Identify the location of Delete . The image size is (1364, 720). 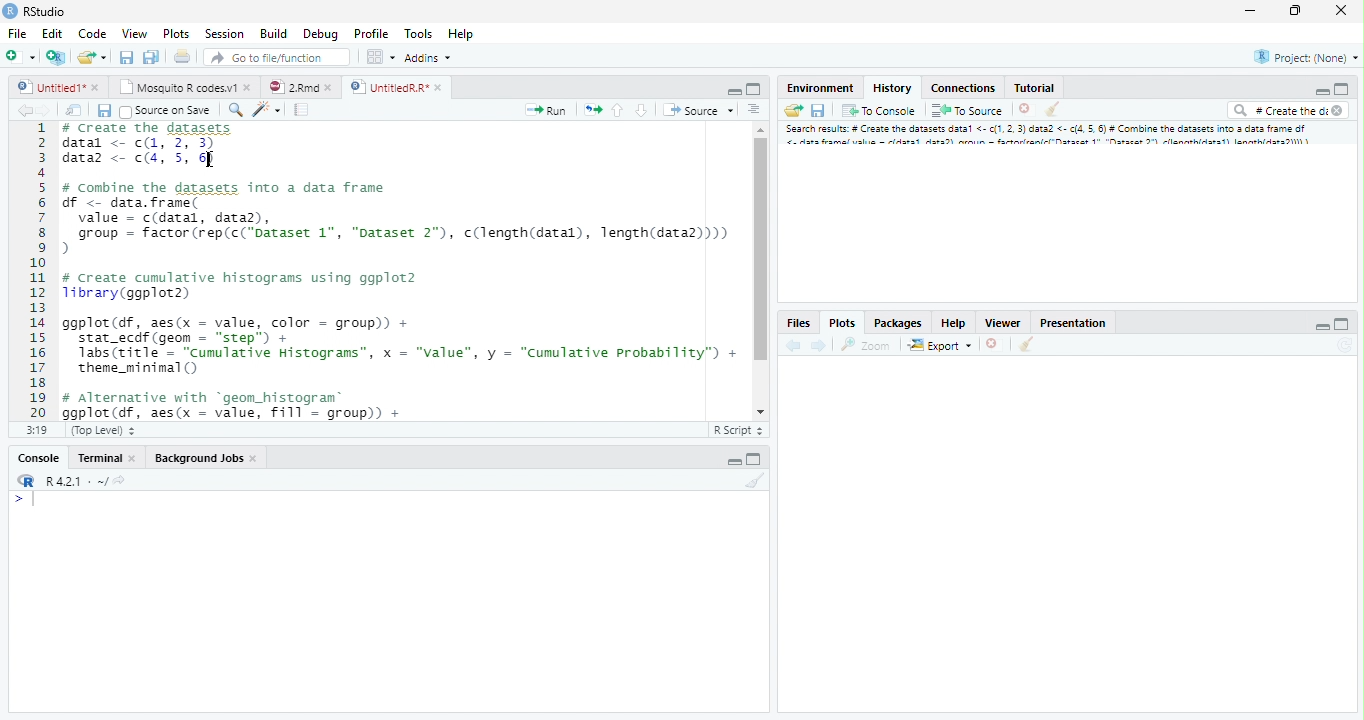
(992, 342).